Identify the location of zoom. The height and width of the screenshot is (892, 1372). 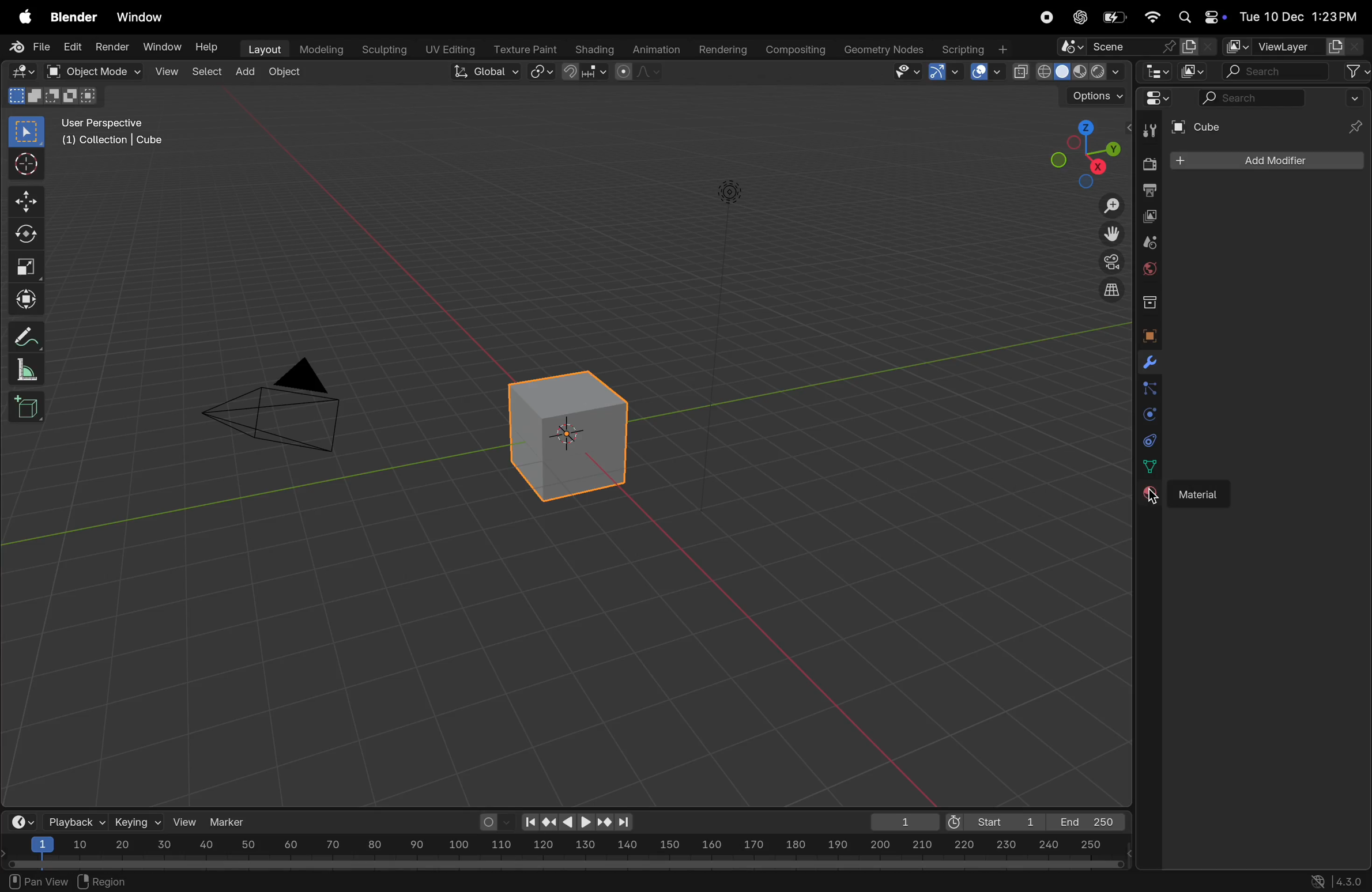
(1106, 207).